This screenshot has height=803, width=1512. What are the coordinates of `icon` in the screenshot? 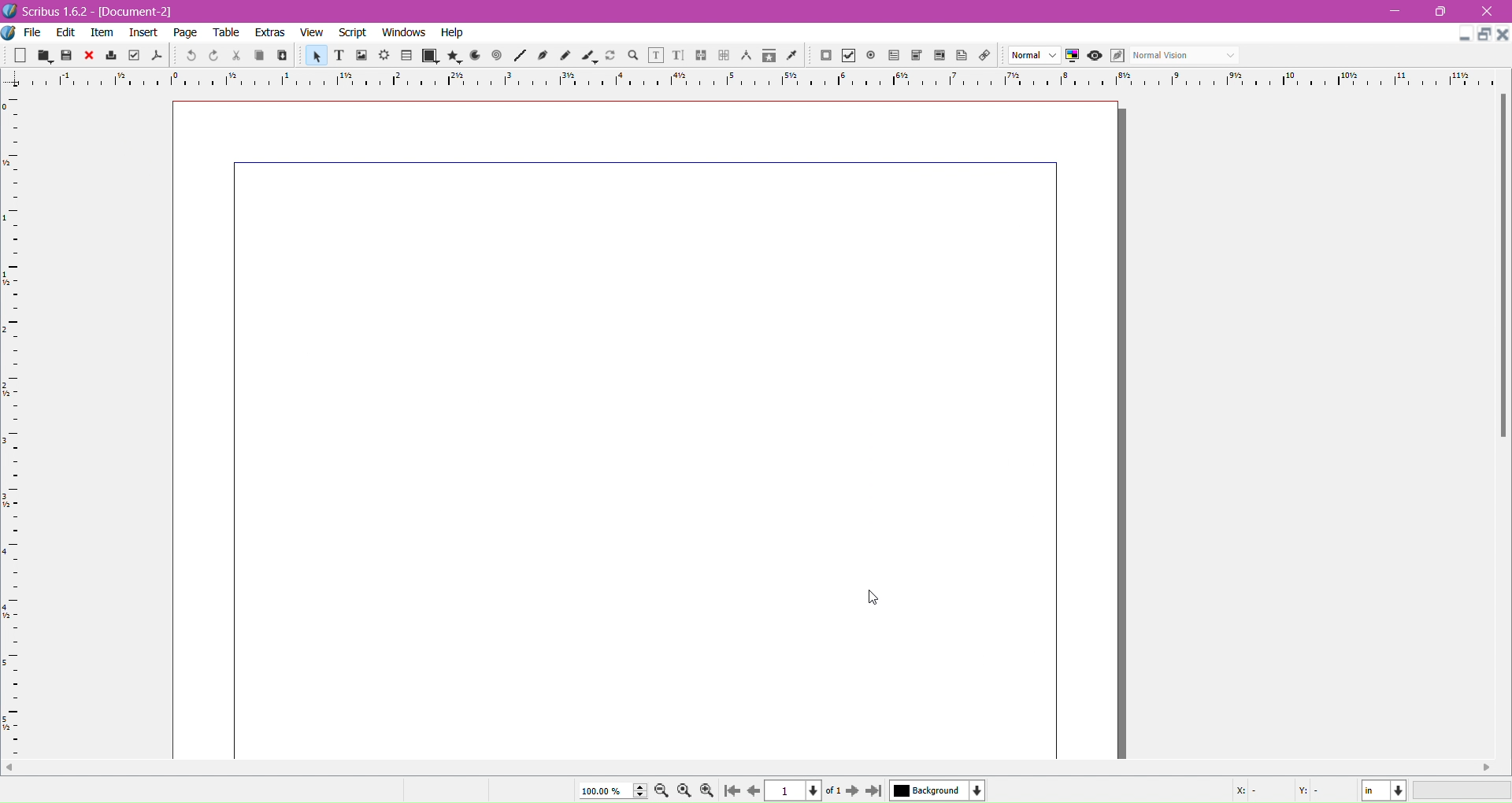 It's located at (564, 56).